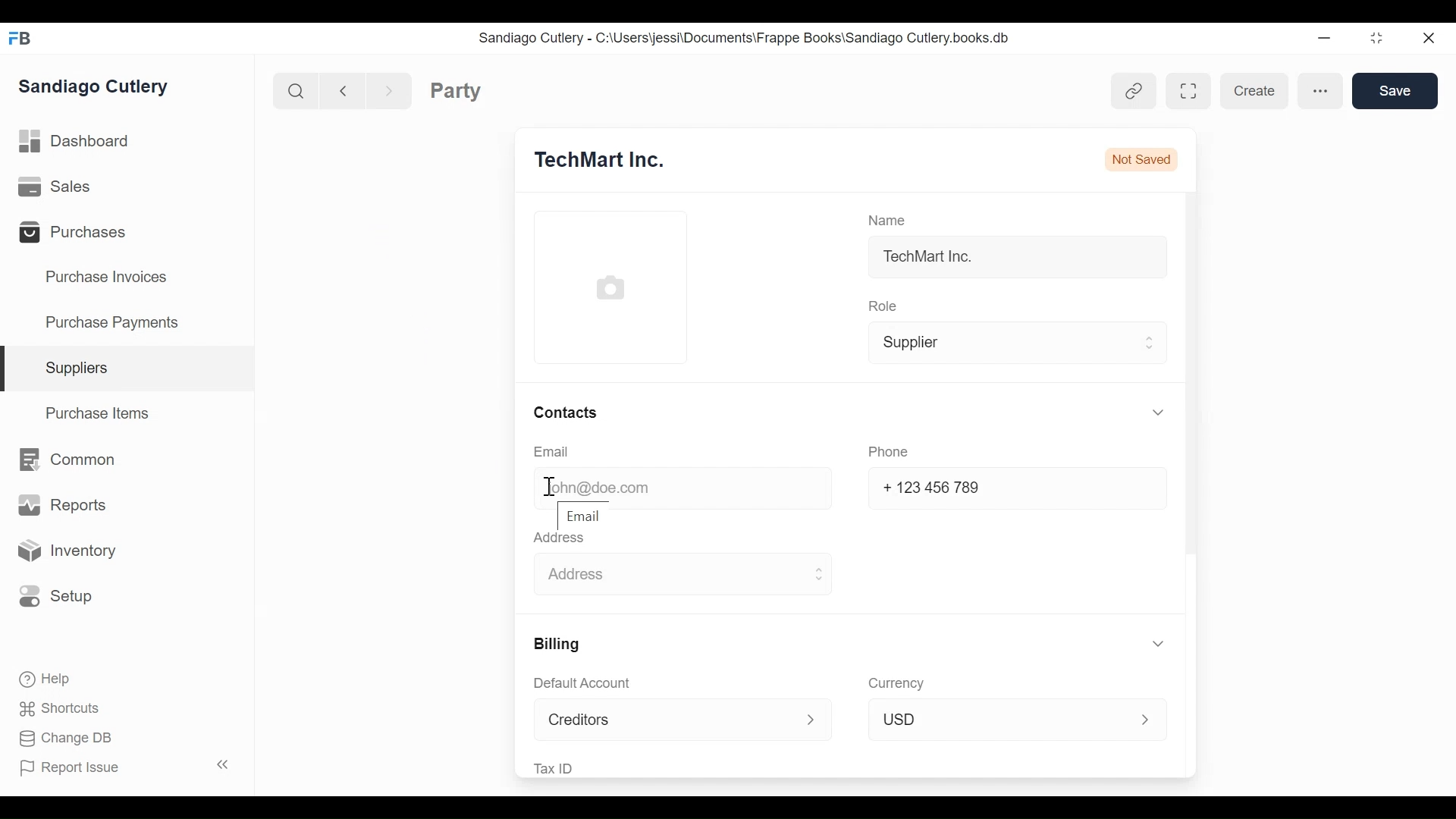  I want to click on Shortcuts., so click(61, 709).